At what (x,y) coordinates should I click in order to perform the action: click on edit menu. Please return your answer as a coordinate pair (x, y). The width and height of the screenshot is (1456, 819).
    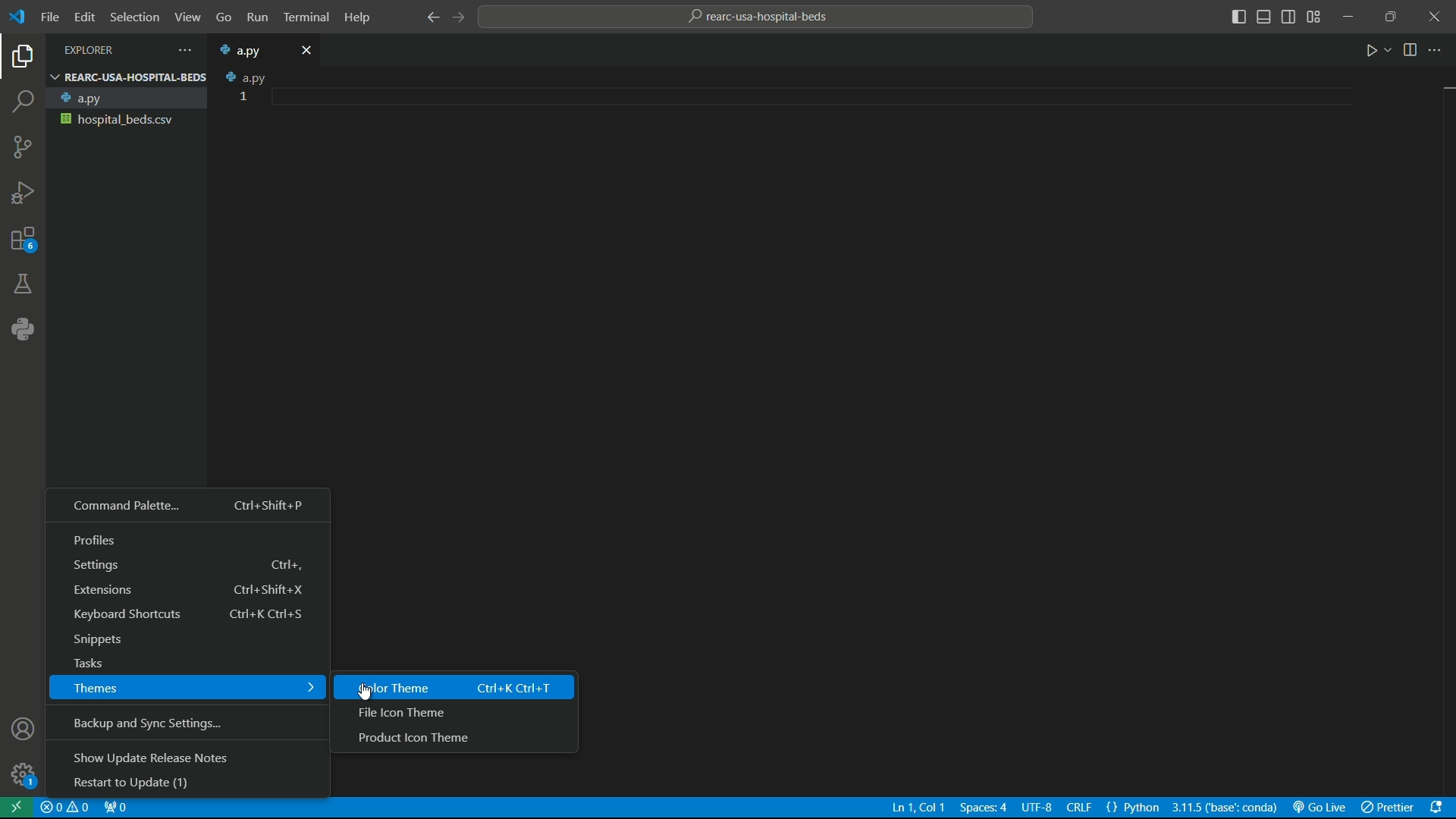
    Looking at the image, I should click on (84, 17).